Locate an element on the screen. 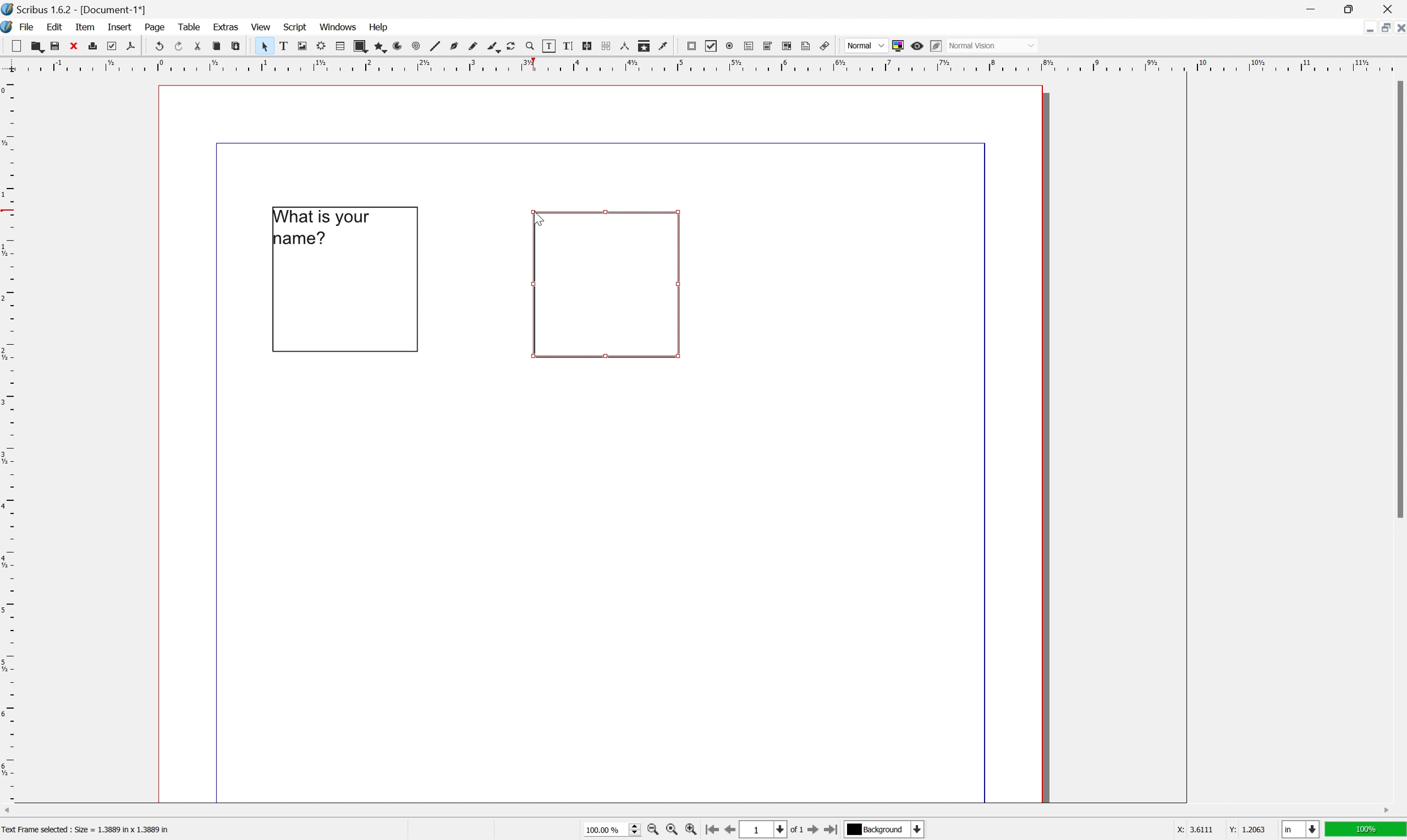  item is located at coordinates (87, 27).